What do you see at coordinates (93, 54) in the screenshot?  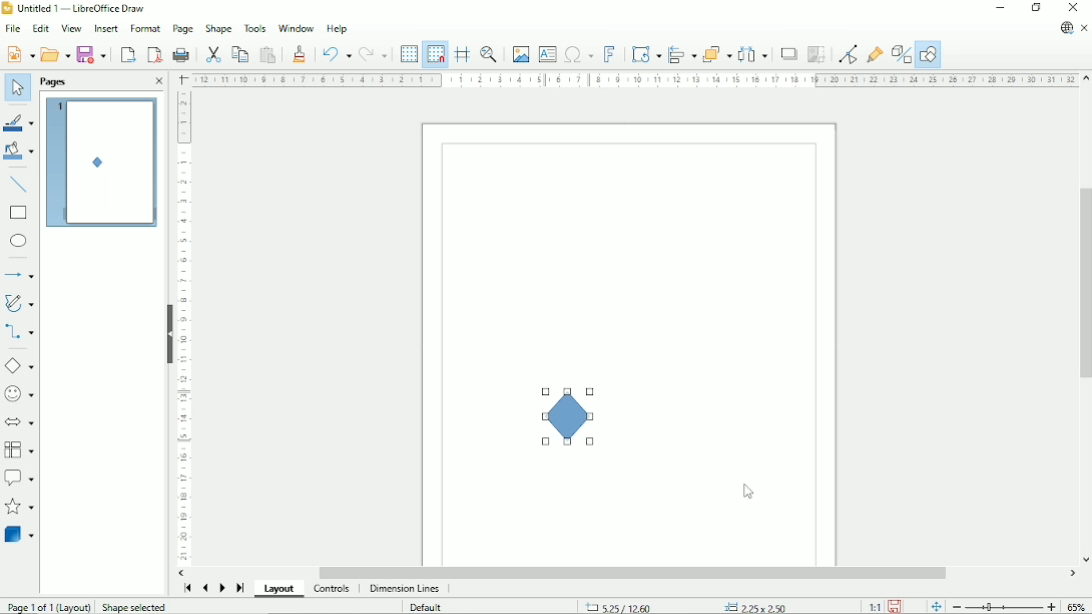 I see `Save` at bounding box center [93, 54].